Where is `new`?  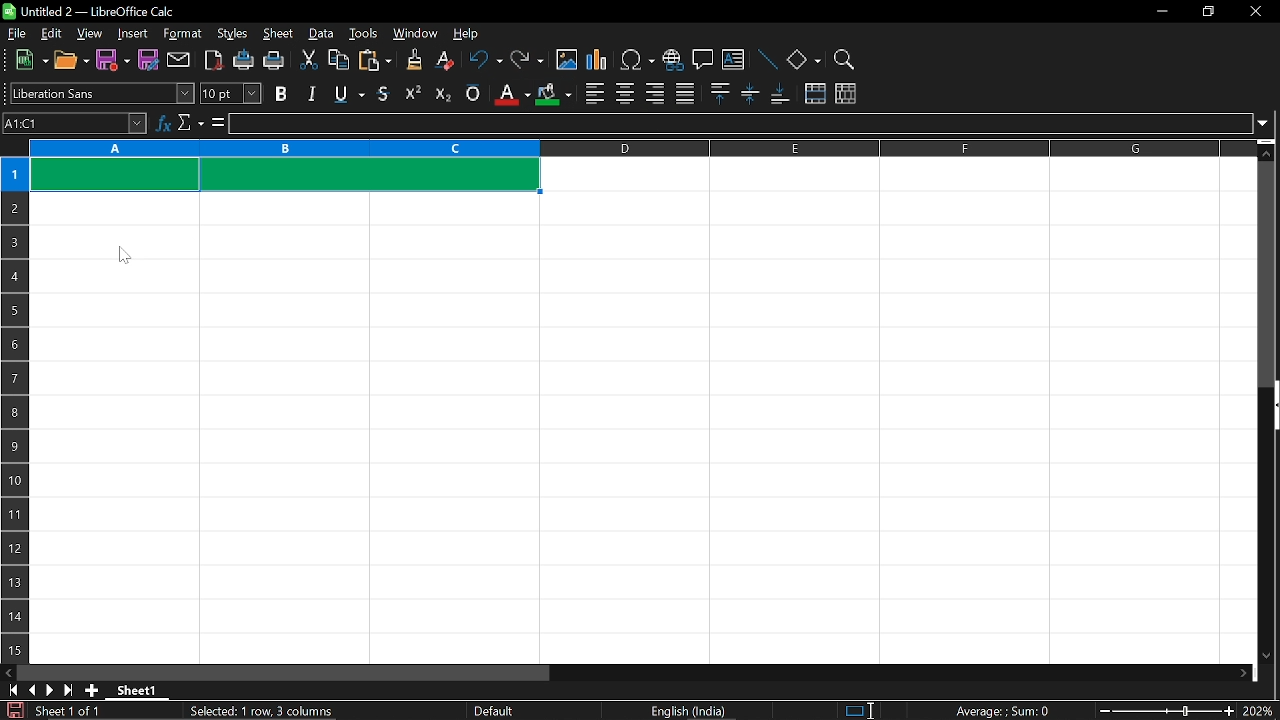 new is located at coordinates (27, 61).